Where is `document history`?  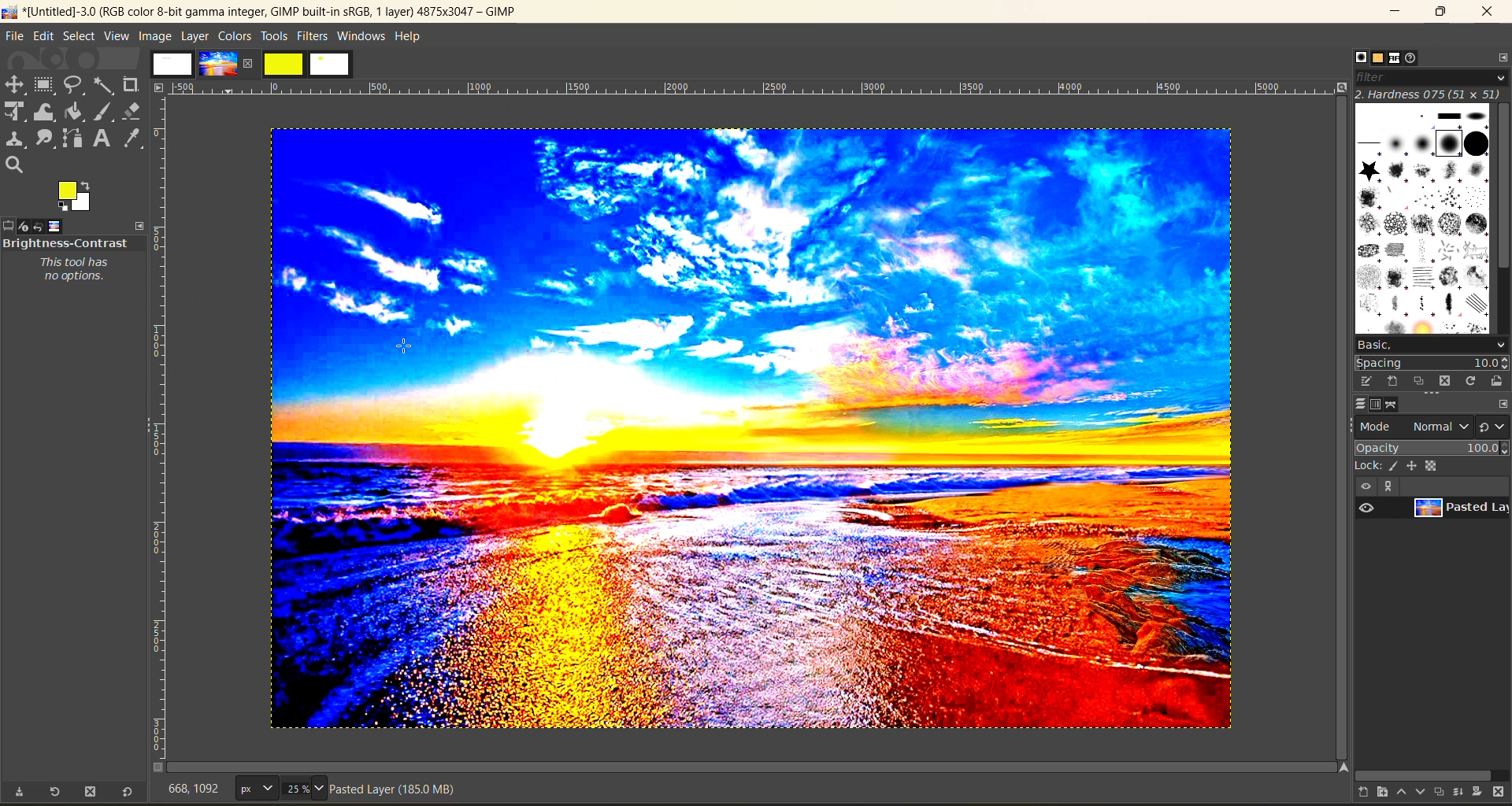 document history is located at coordinates (1414, 57).